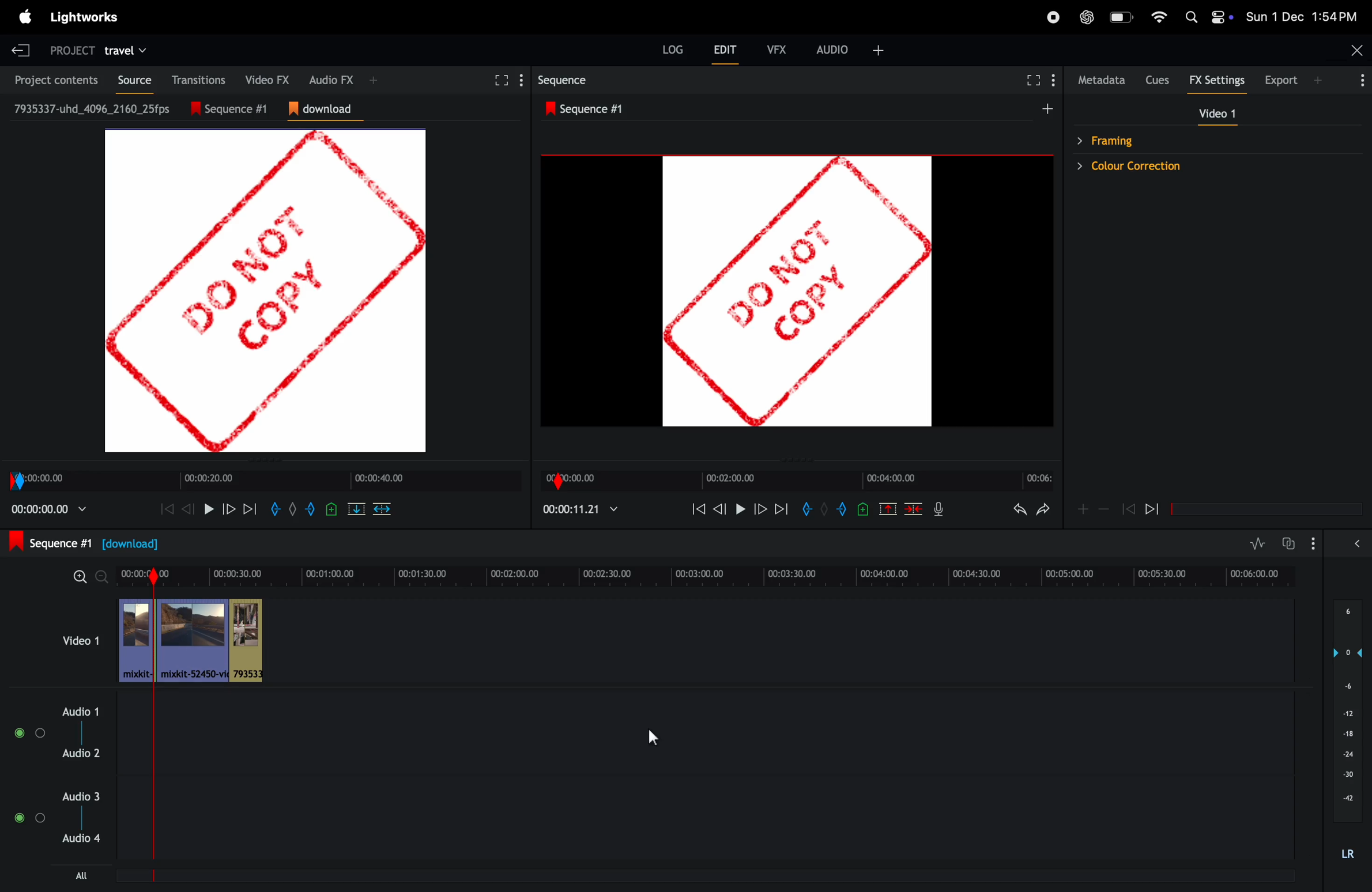 This screenshot has width=1372, height=892. Describe the element at coordinates (263, 78) in the screenshot. I see `video fx` at that location.